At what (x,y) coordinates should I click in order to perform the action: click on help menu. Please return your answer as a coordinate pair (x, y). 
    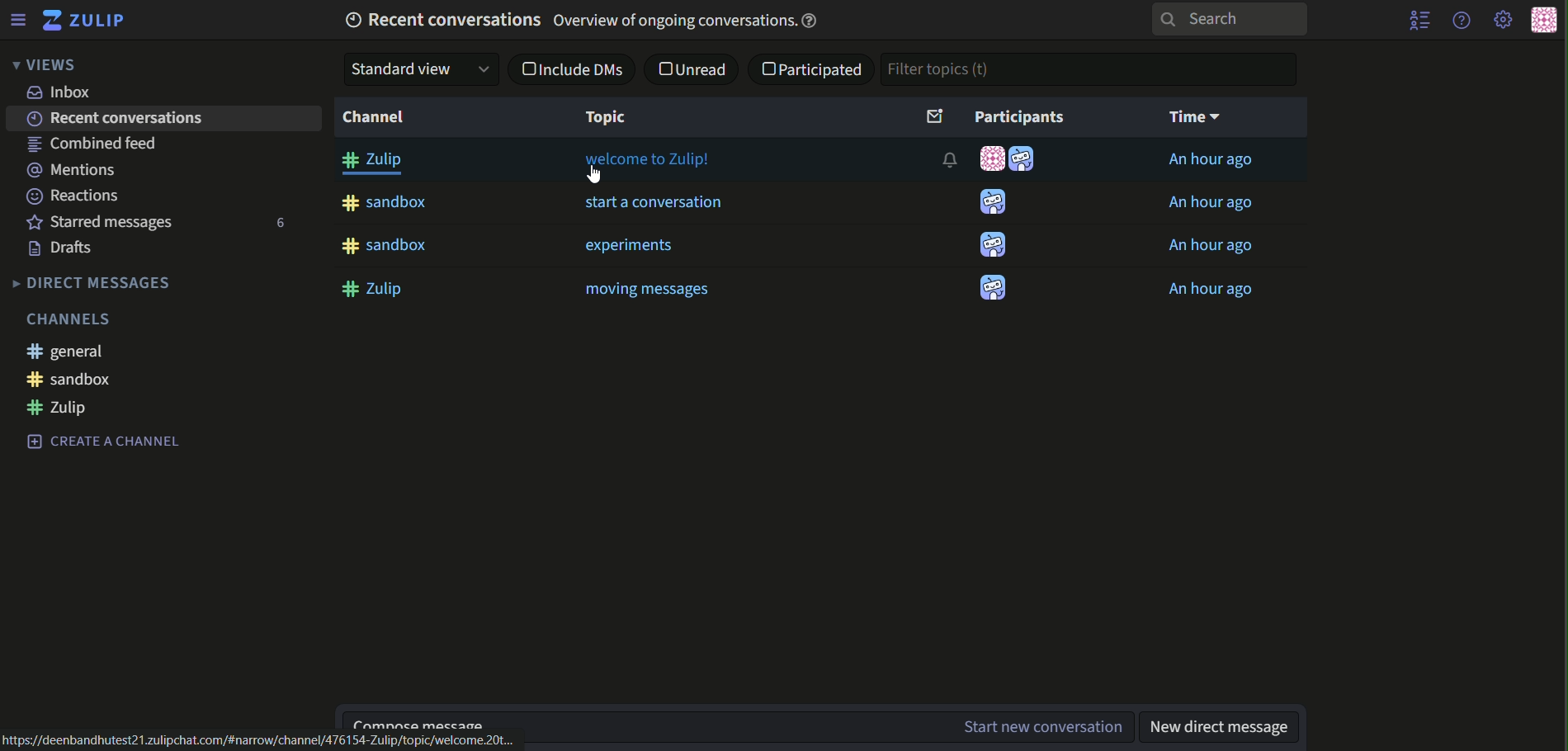
    Looking at the image, I should click on (1460, 19).